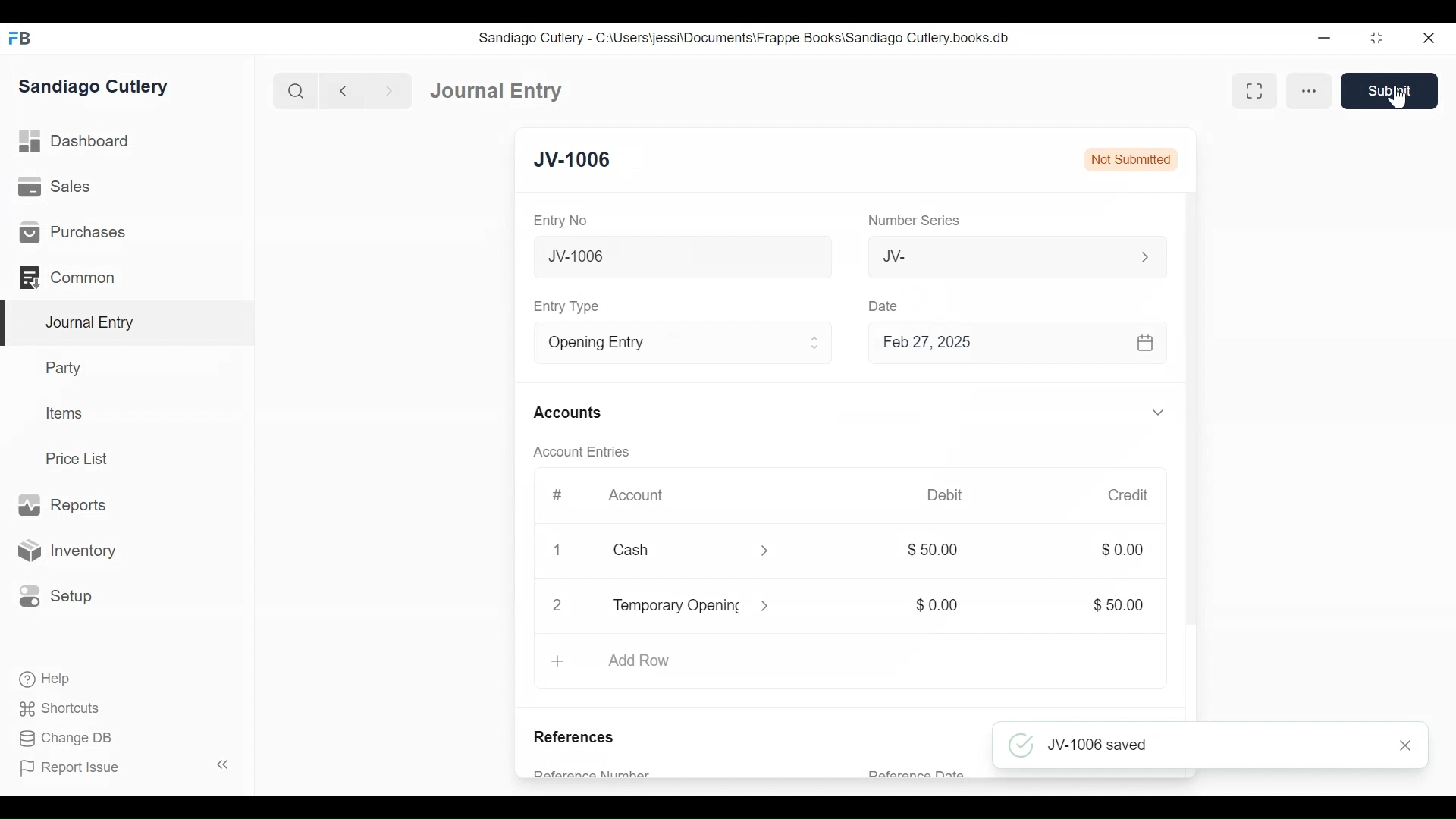 The image size is (1456, 819). What do you see at coordinates (772, 605) in the screenshot?
I see `Expand` at bounding box center [772, 605].